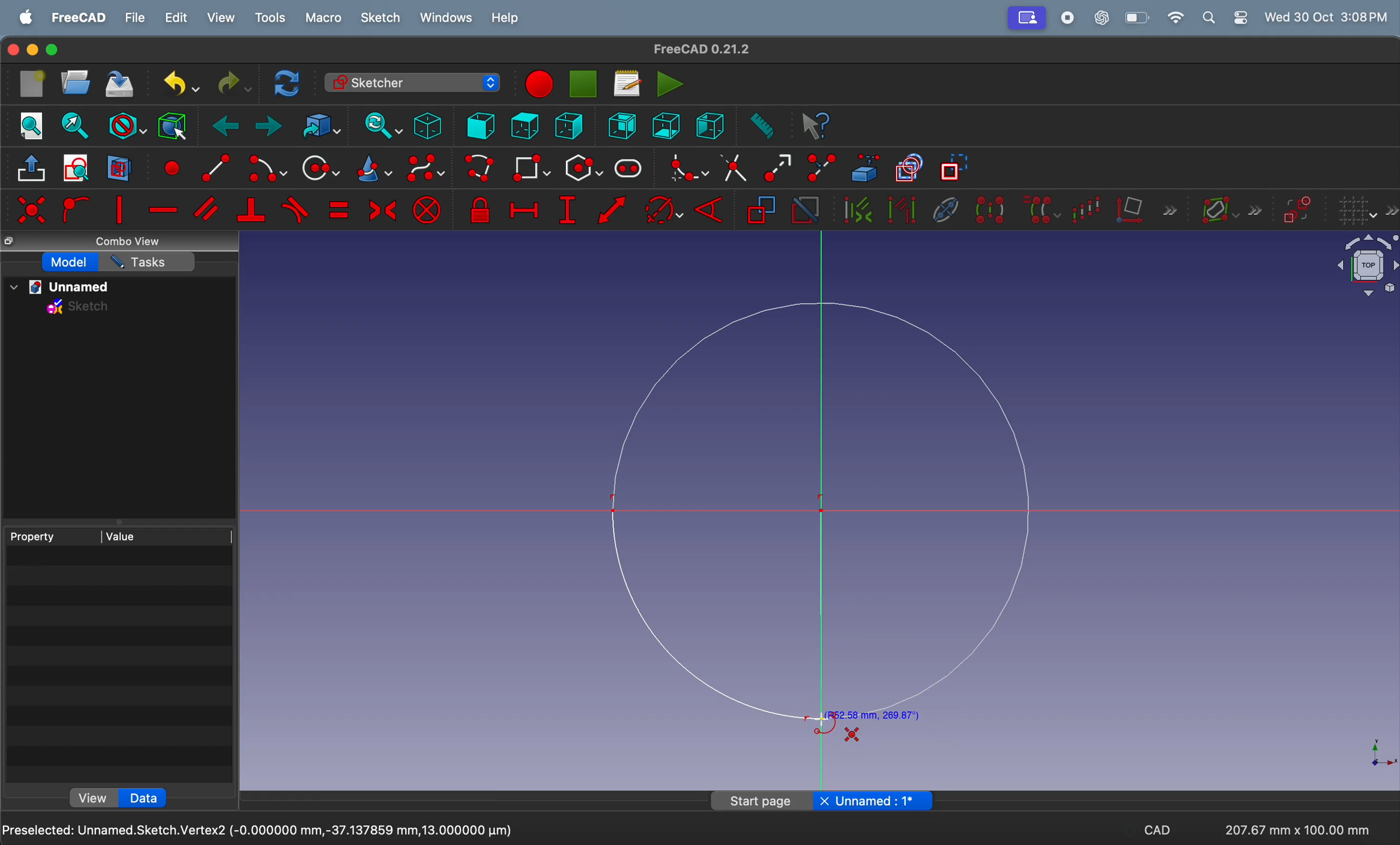 The width and height of the screenshot is (1400, 845). I want to click on switch virtual space, so click(1298, 210).